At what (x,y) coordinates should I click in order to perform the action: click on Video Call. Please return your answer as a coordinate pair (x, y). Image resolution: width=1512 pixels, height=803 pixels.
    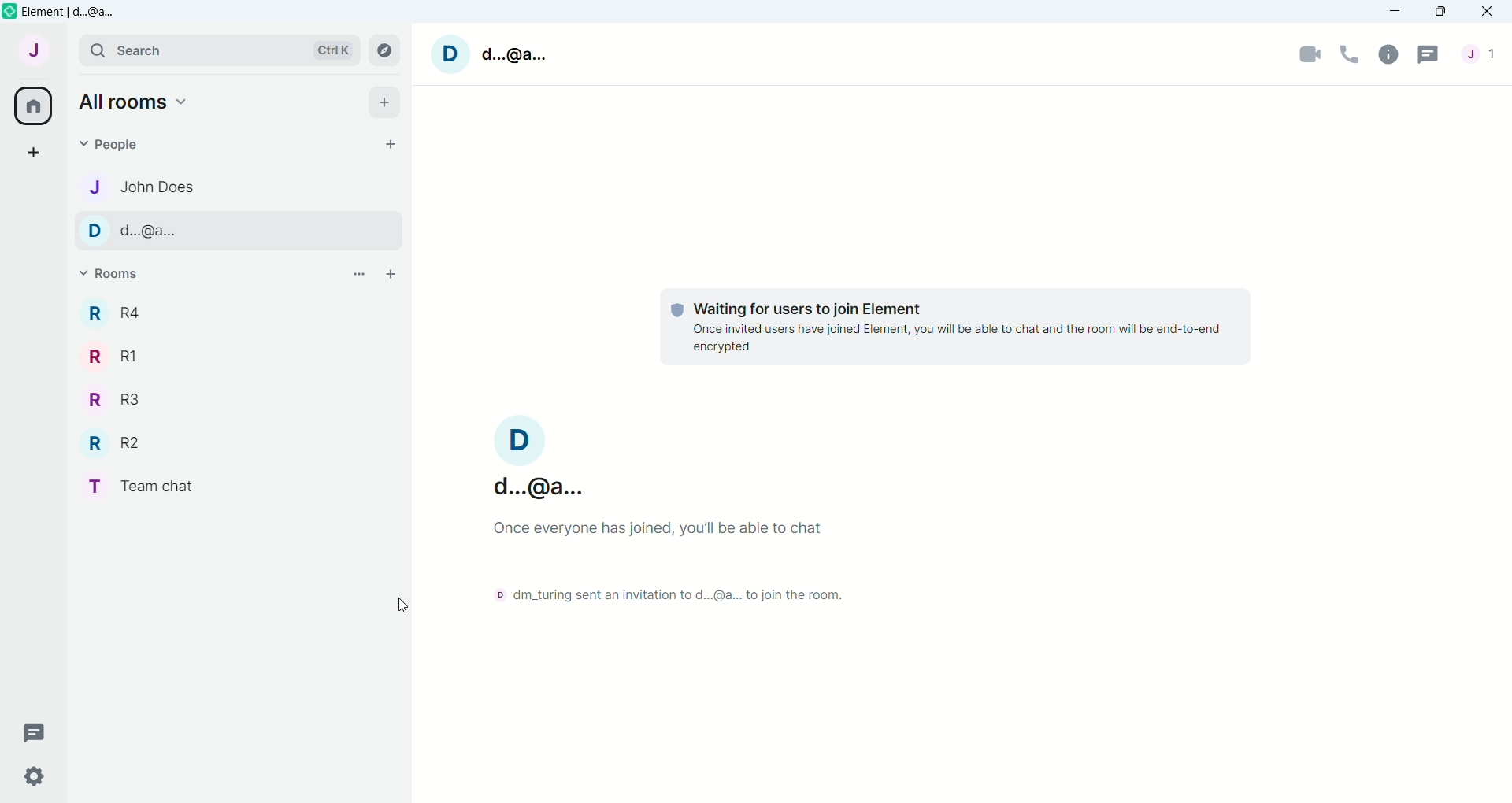
    Looking at the image, I should click on (1308, 54).